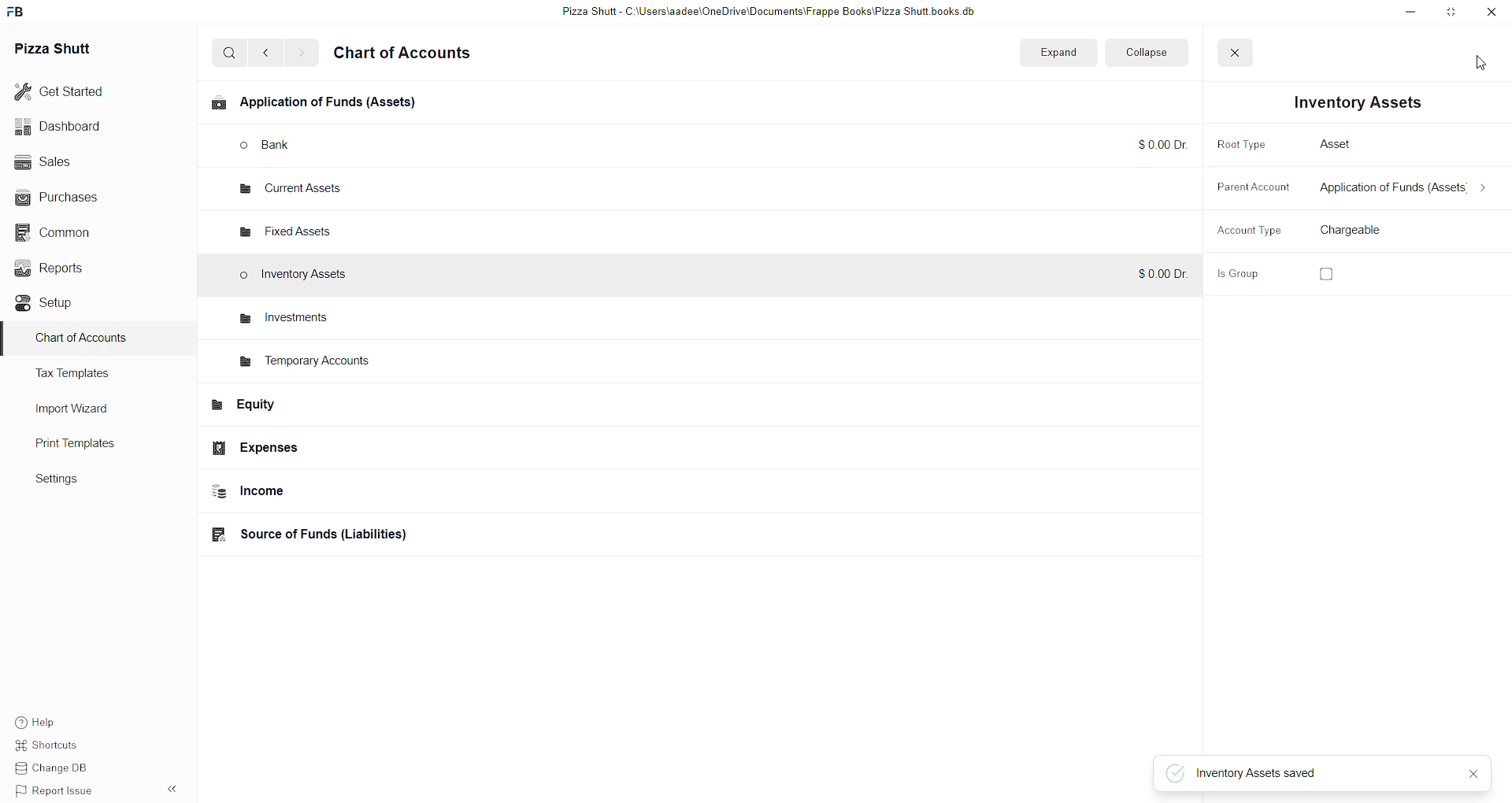  Describe the element at coordinates (300, 276) in the screenshot. I see `Inventory Assets` at that location.